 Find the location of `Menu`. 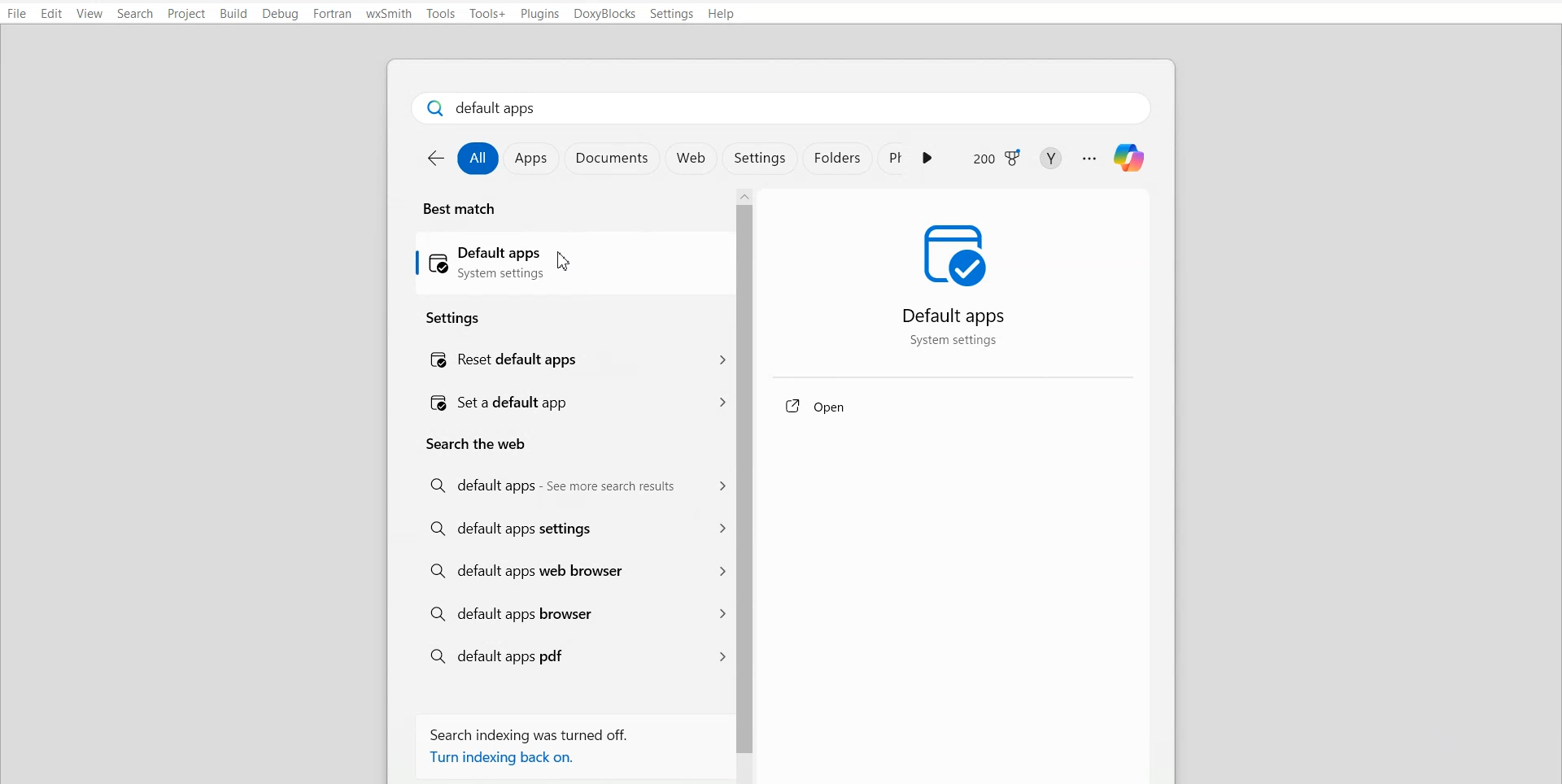

Menu is located at coordinates (716, 402).